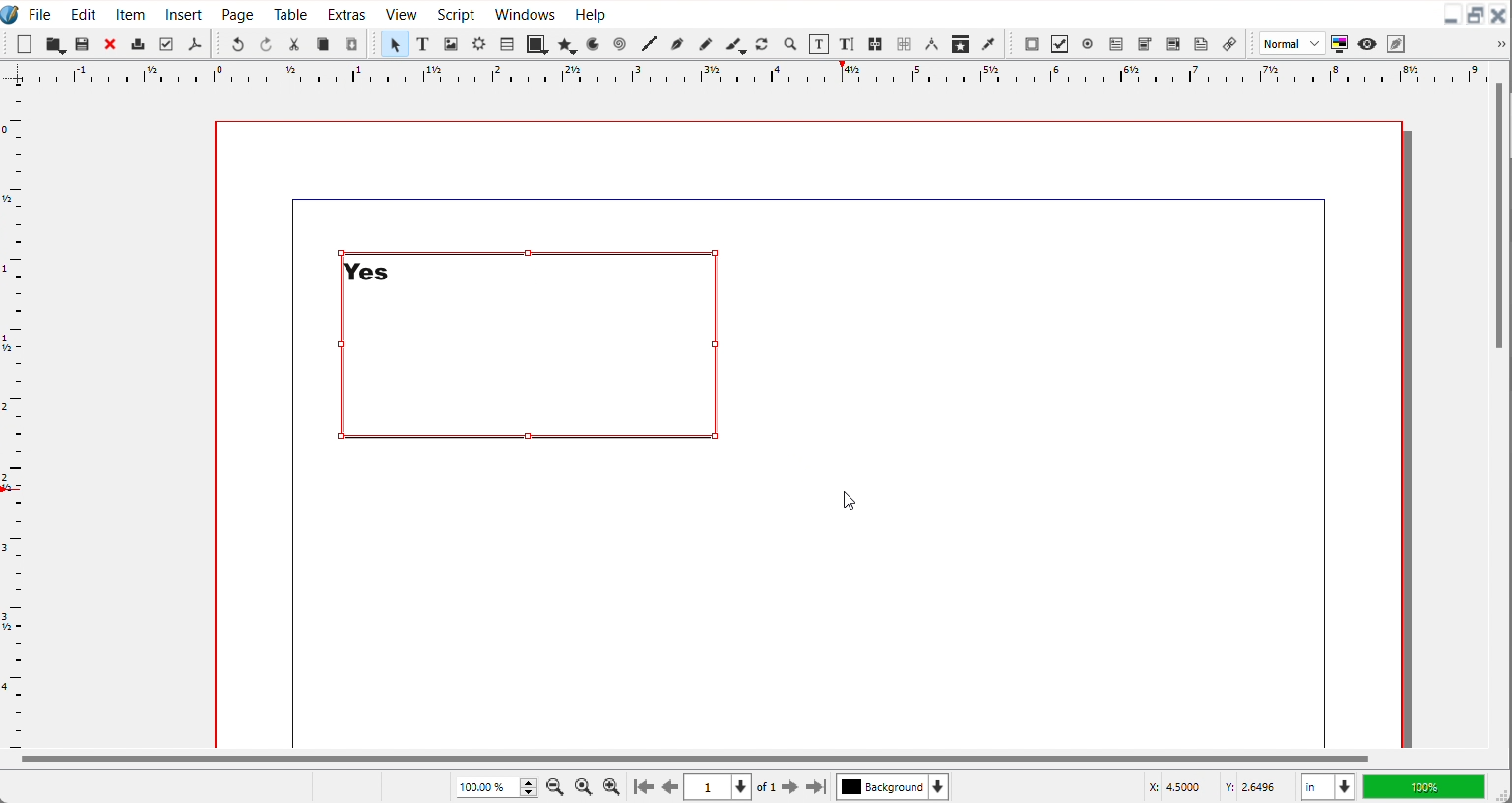  What do you see at coordinates (1292, 43) in the screenshot?
I see `Image preview quality` at bounding box center [1292, 43].